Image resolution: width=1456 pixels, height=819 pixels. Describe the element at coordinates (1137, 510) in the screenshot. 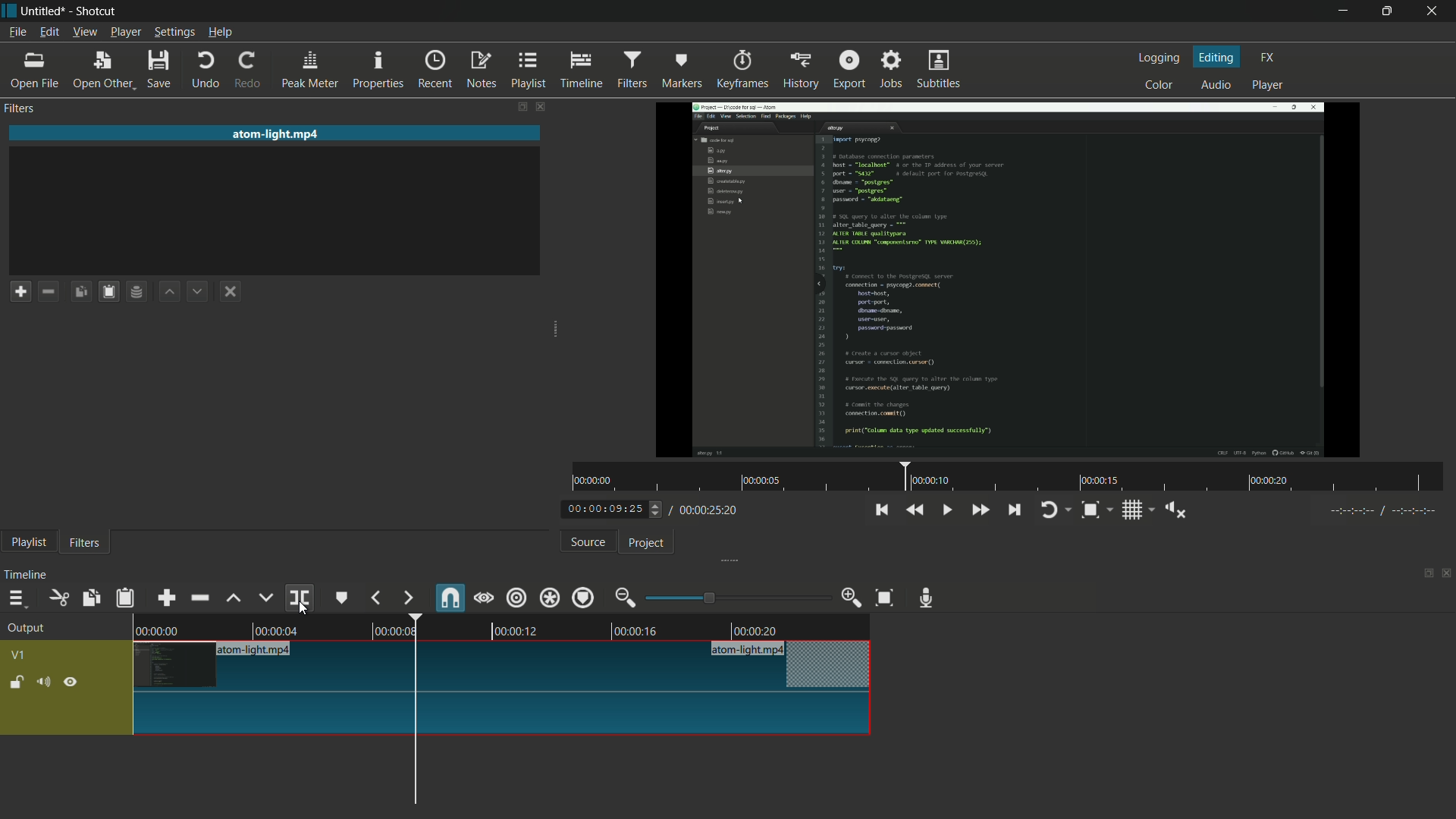

I see `toggle grid` at that location.